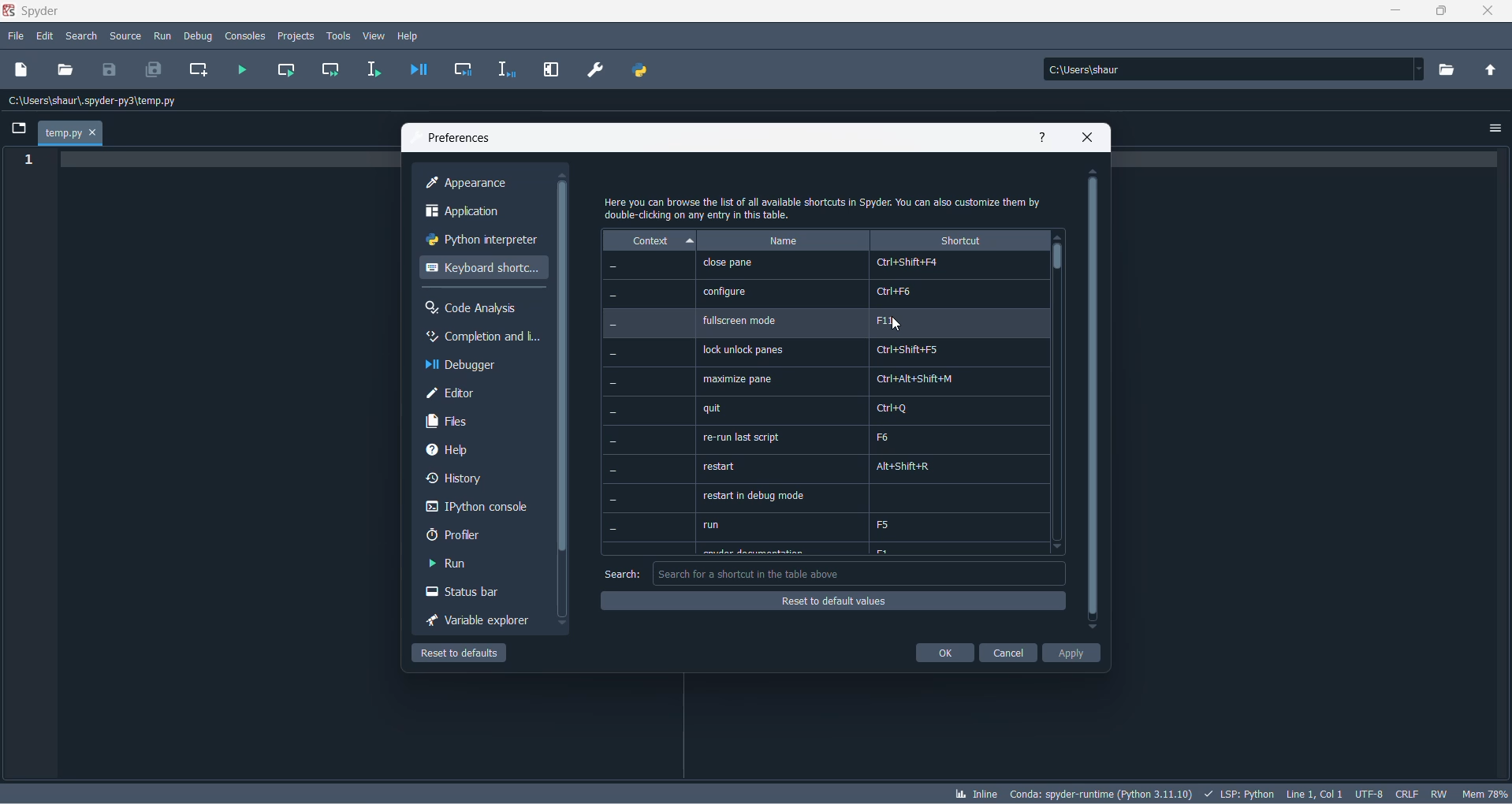 The image size is (1512, 804). Describe the element at coordinates (339, 35) in the screenshot. I see `tools` at that location.